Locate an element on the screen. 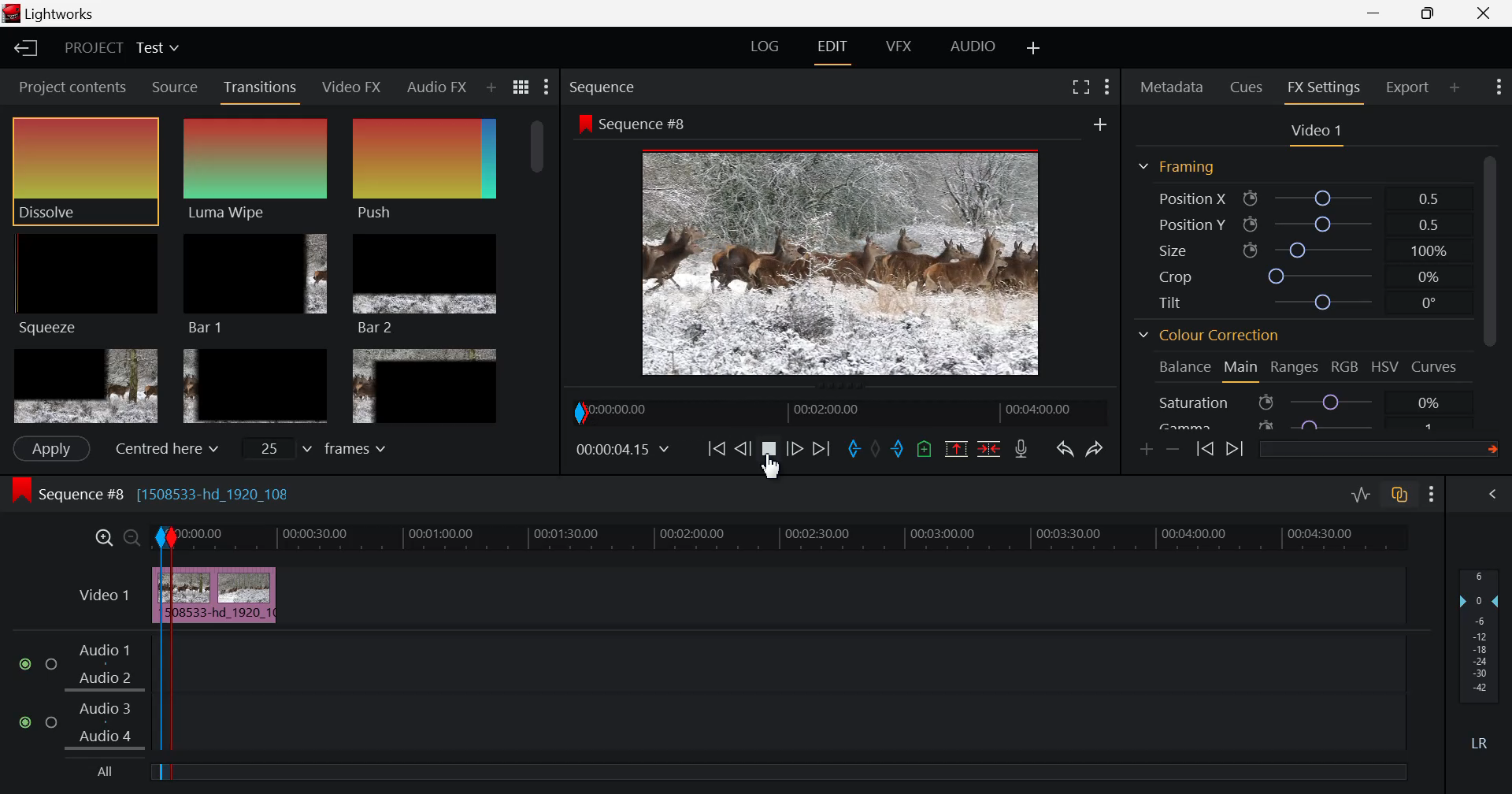 The width and height of the screenshot is (1512, 794). Toggle audio levels is located at coordinates (1361, 495).